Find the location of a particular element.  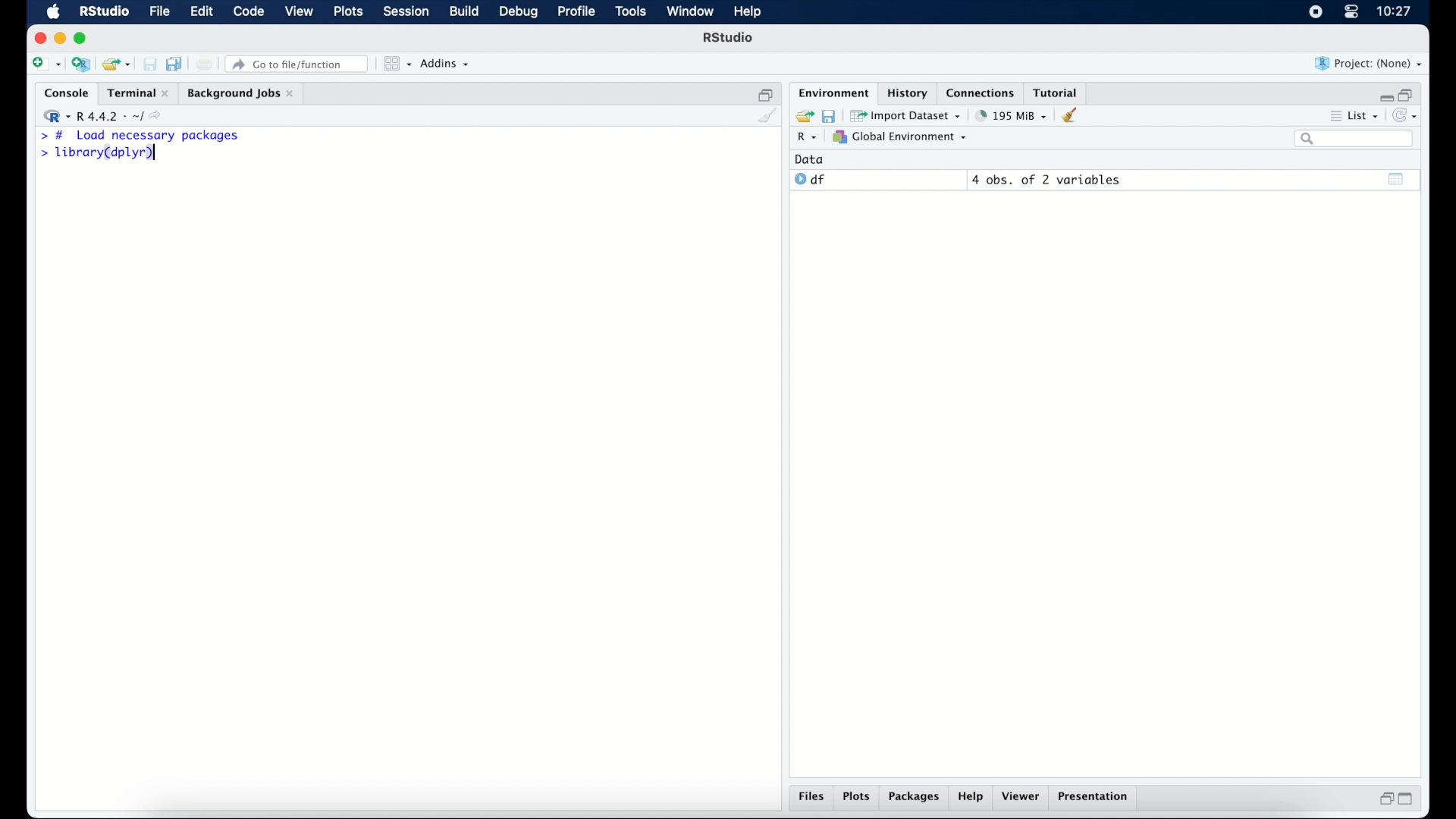

background jobs is located at coordinates (240, 93).